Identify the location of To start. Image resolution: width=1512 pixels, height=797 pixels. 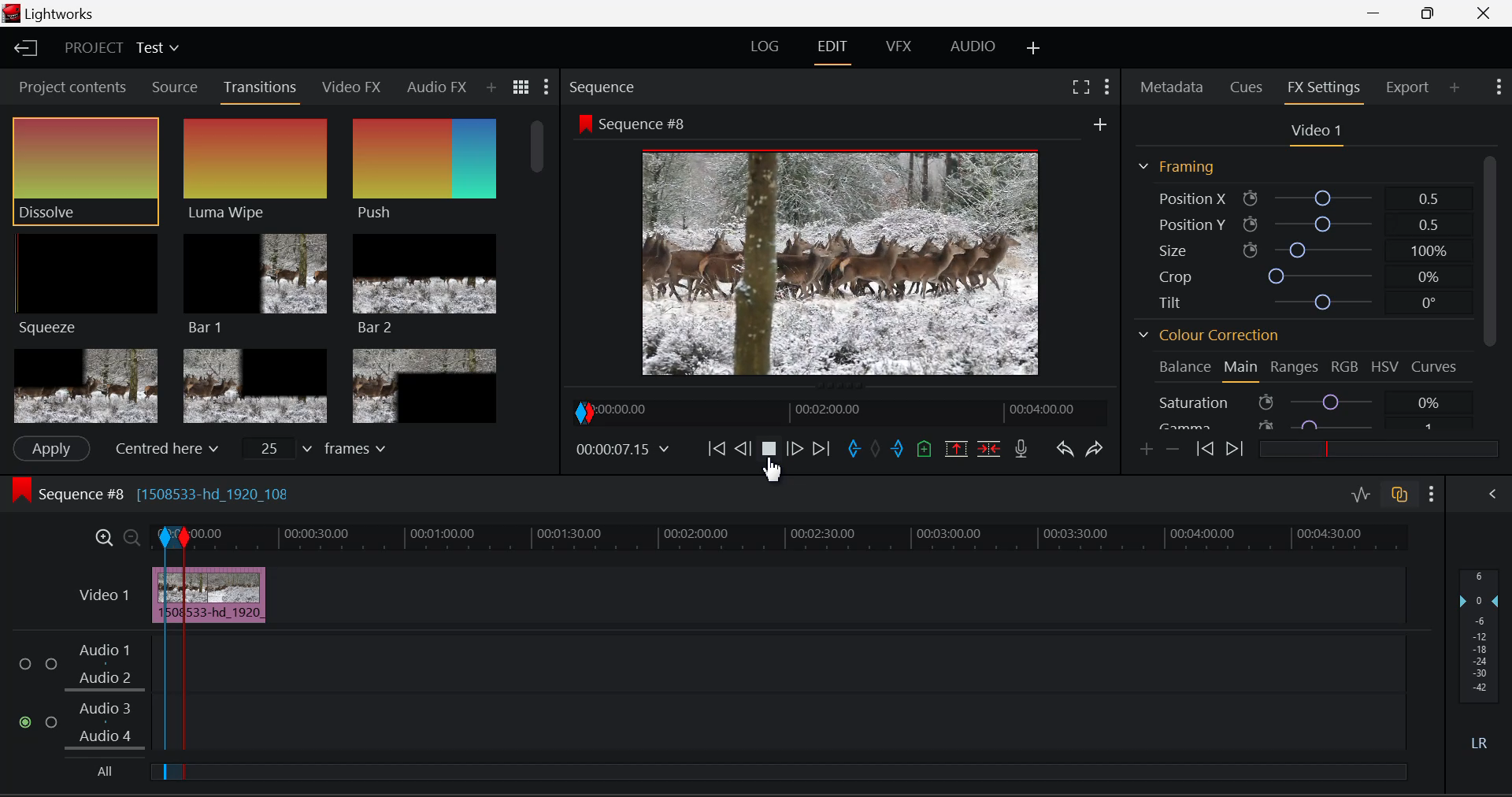
(717, 450).